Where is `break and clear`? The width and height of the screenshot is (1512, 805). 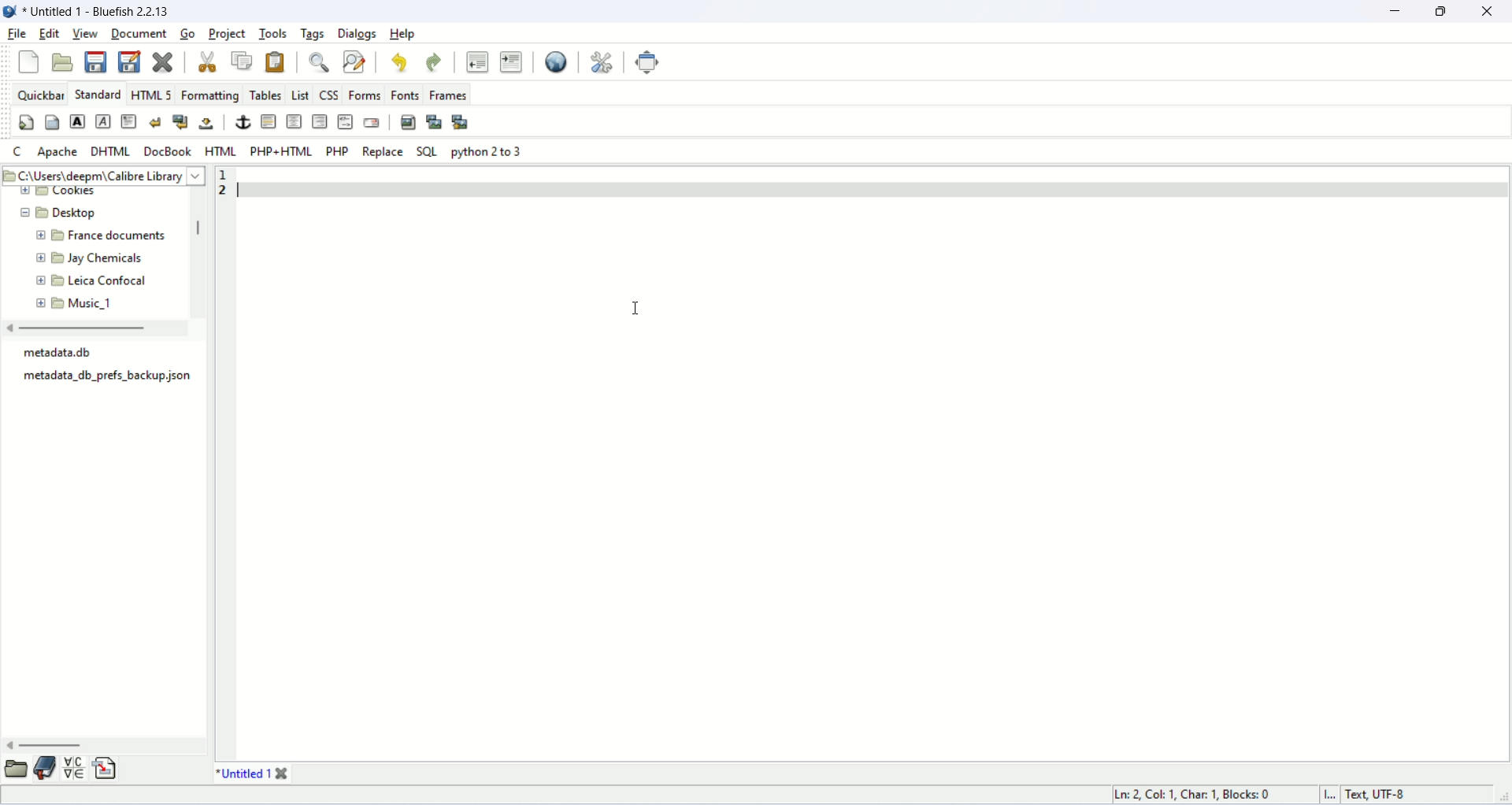
break and clear is located at coordinates (180, 121).